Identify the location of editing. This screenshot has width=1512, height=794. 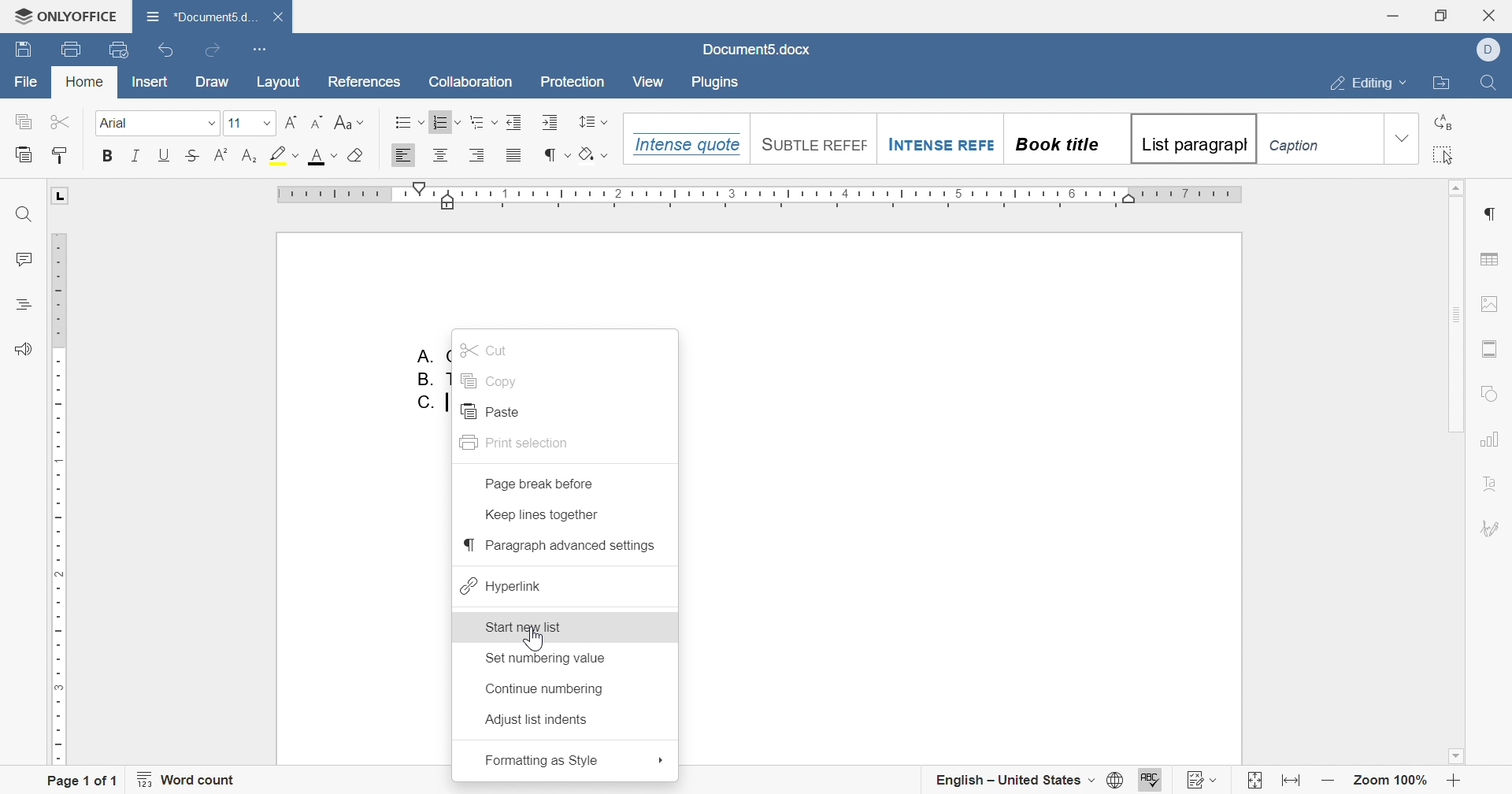
(1368, 84).